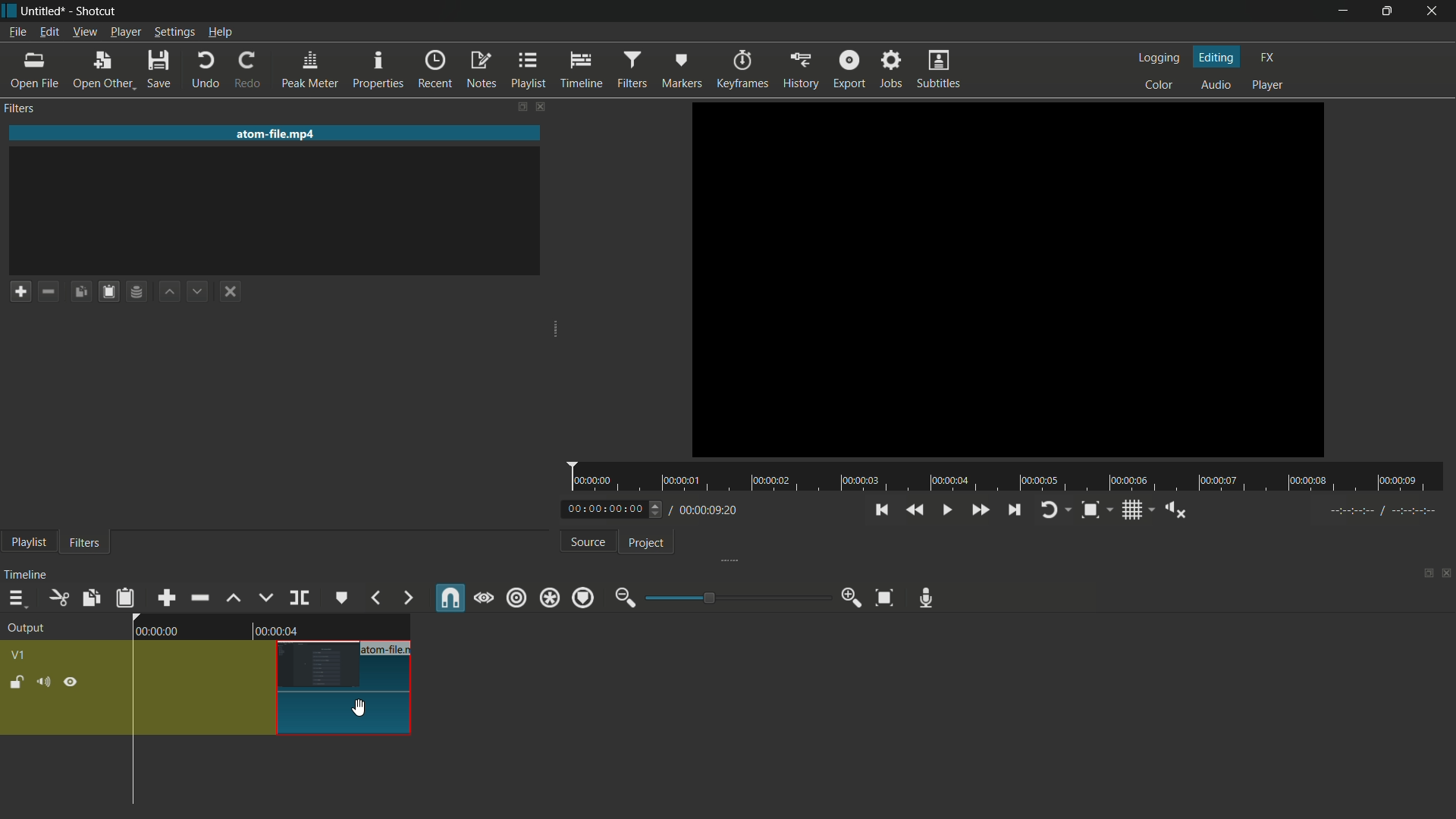 The height and width of the screenshot is (819, 1456). What do you see at coordinates (945, 509) in the screenshot?
I see `toggle play or pause` at bounding box center [945, 509].